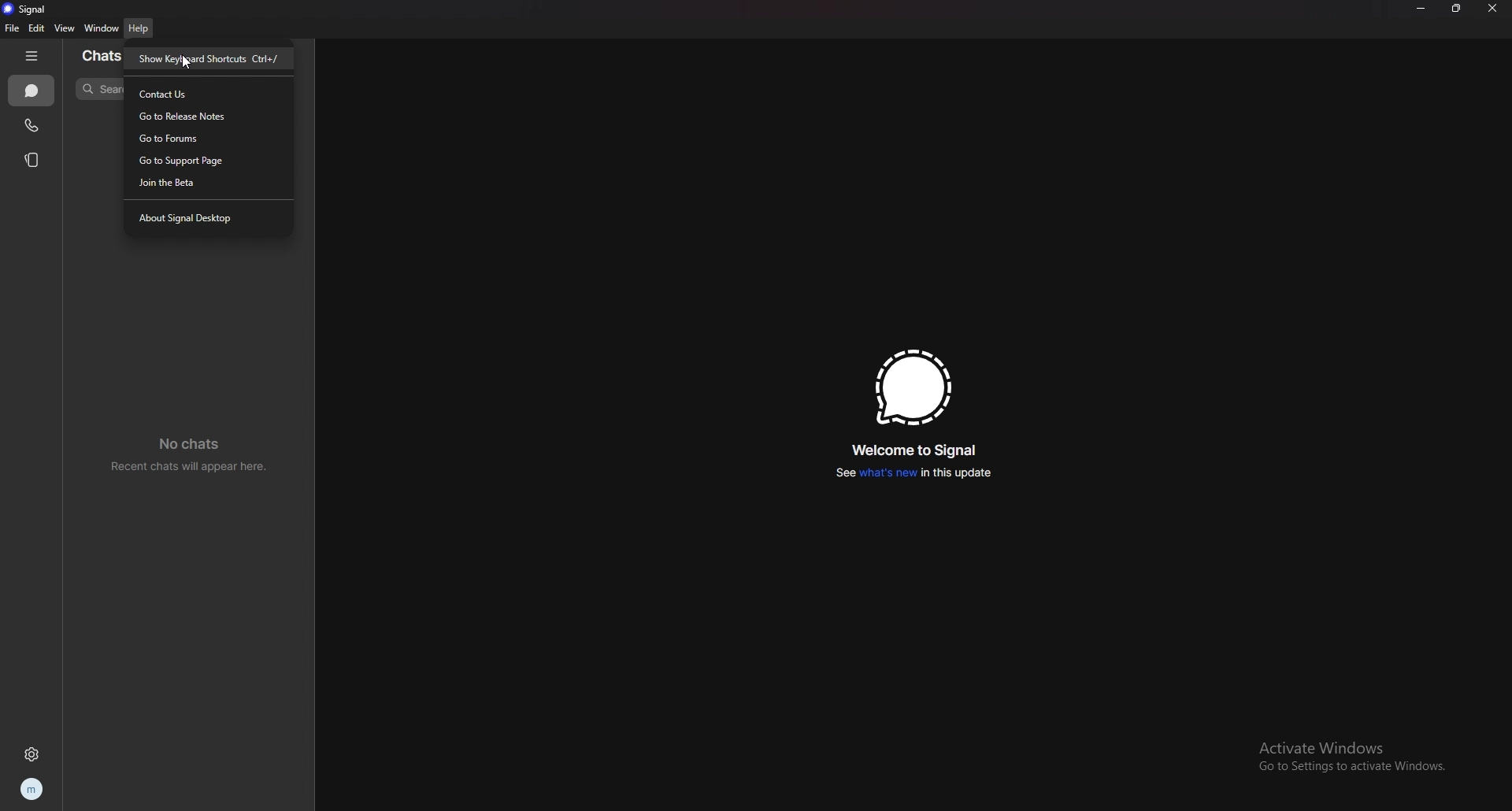 This screenshot has height=811, width=1512. What do you see at coordinates (102, 57) in the screenshot?
I see `chats` at bounding box center [102, 57].